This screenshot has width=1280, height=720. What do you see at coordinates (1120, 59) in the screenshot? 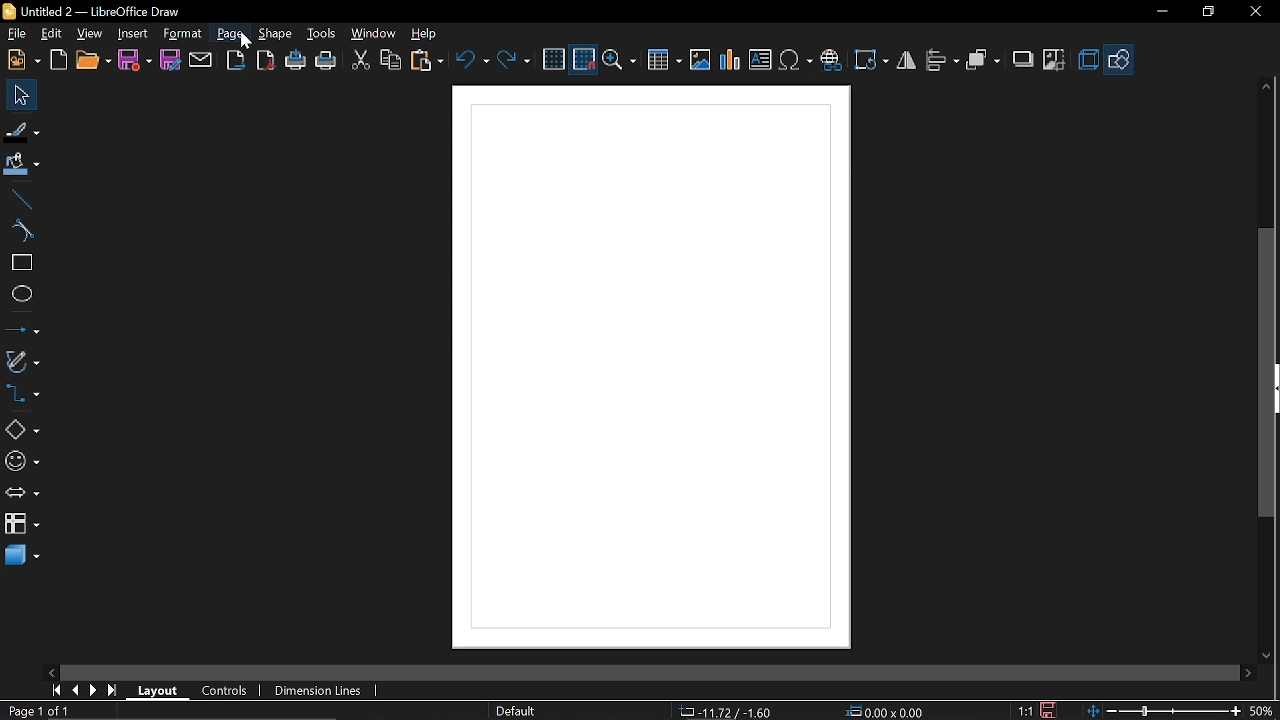
I see `Basic hapes` at bounding box center [1120, 59].